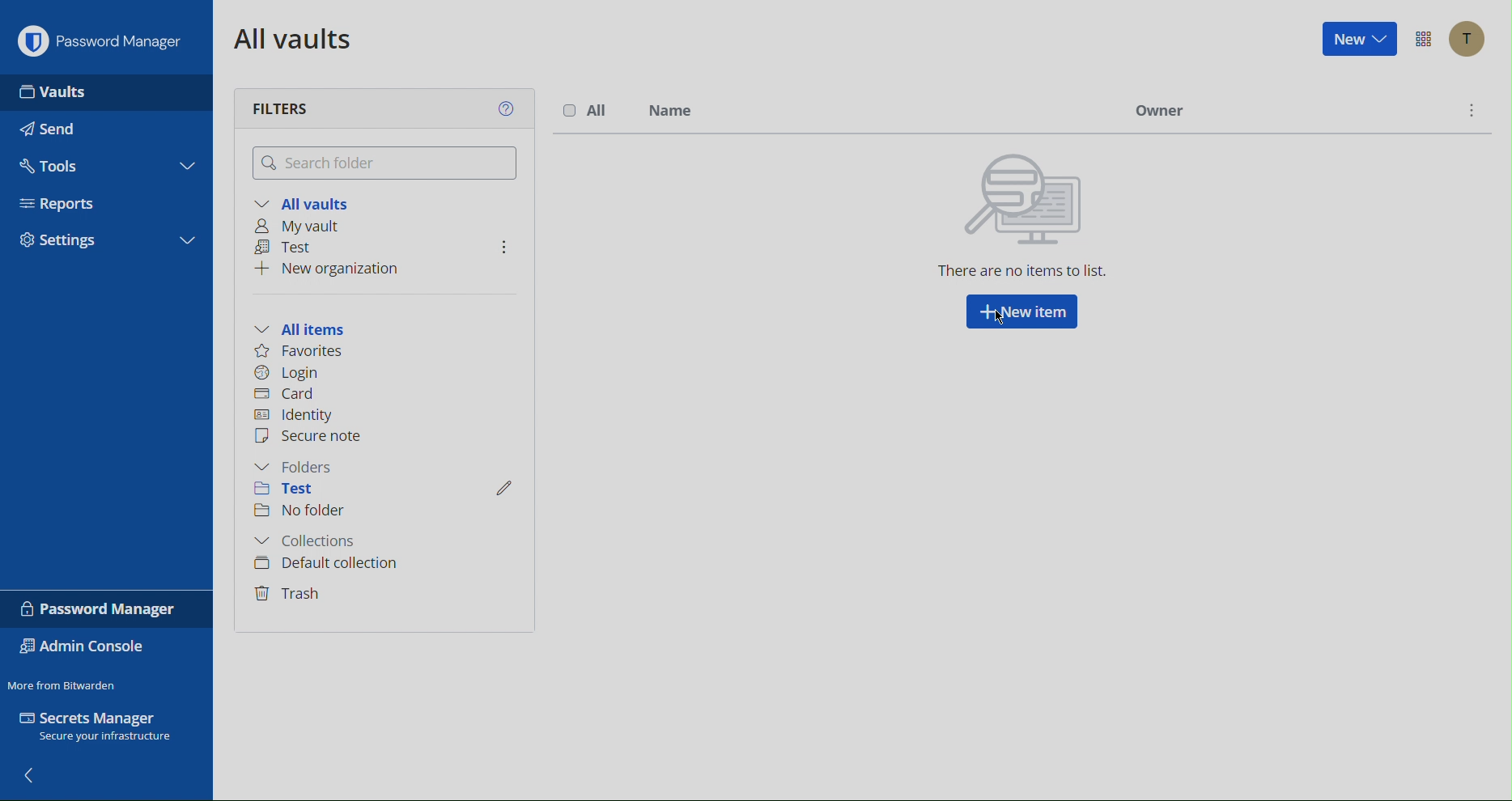 Image resolution: width=1512 pixels, height=801 pixels. Describe the element at coordinates (384, 162) in the screenshot. I see `Search folder` at that location.